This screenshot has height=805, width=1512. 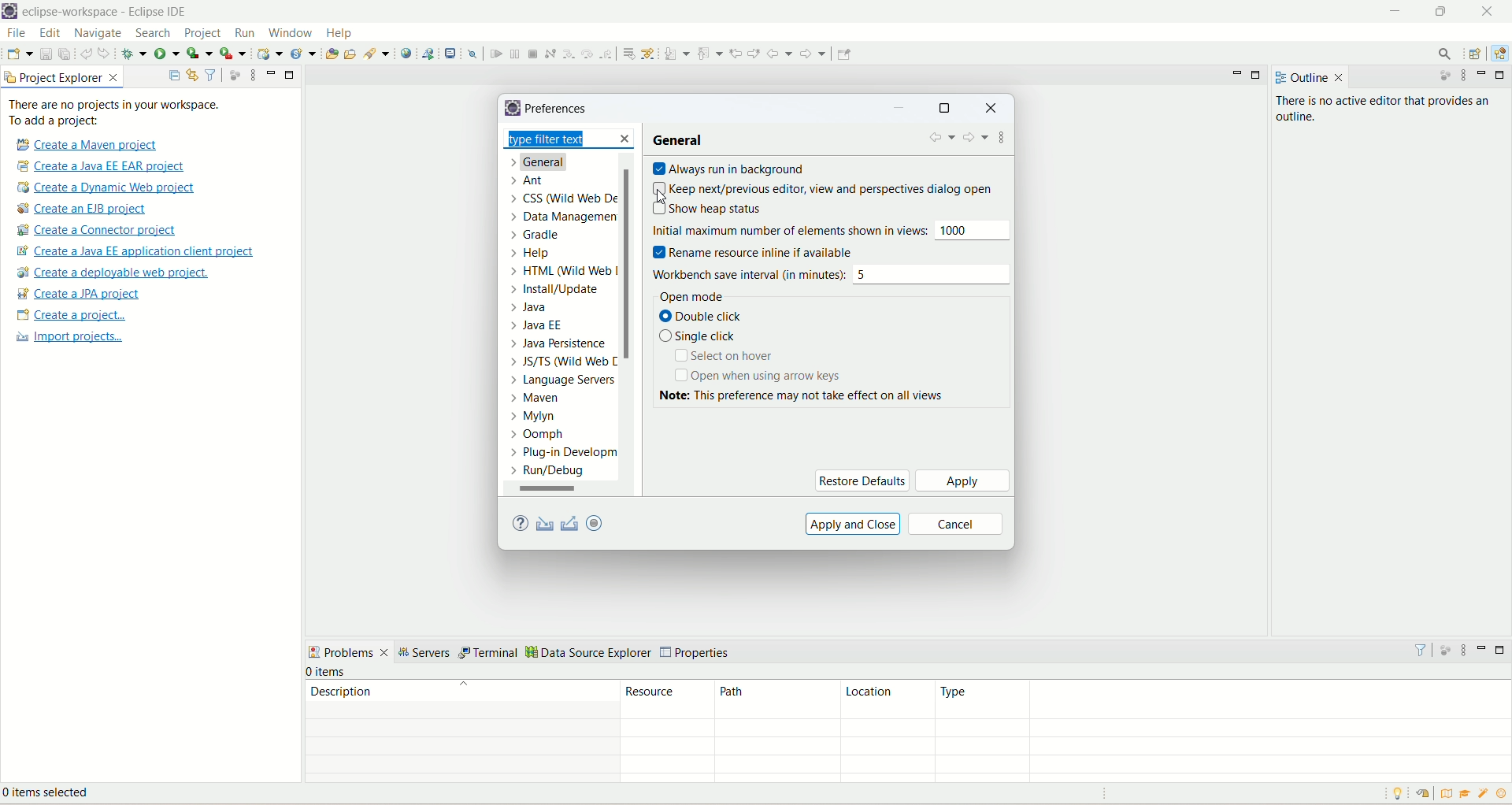 What do you see at coordinates (567, 54) in the screenshot?
I see `step into` at bounding box center [567, 54].